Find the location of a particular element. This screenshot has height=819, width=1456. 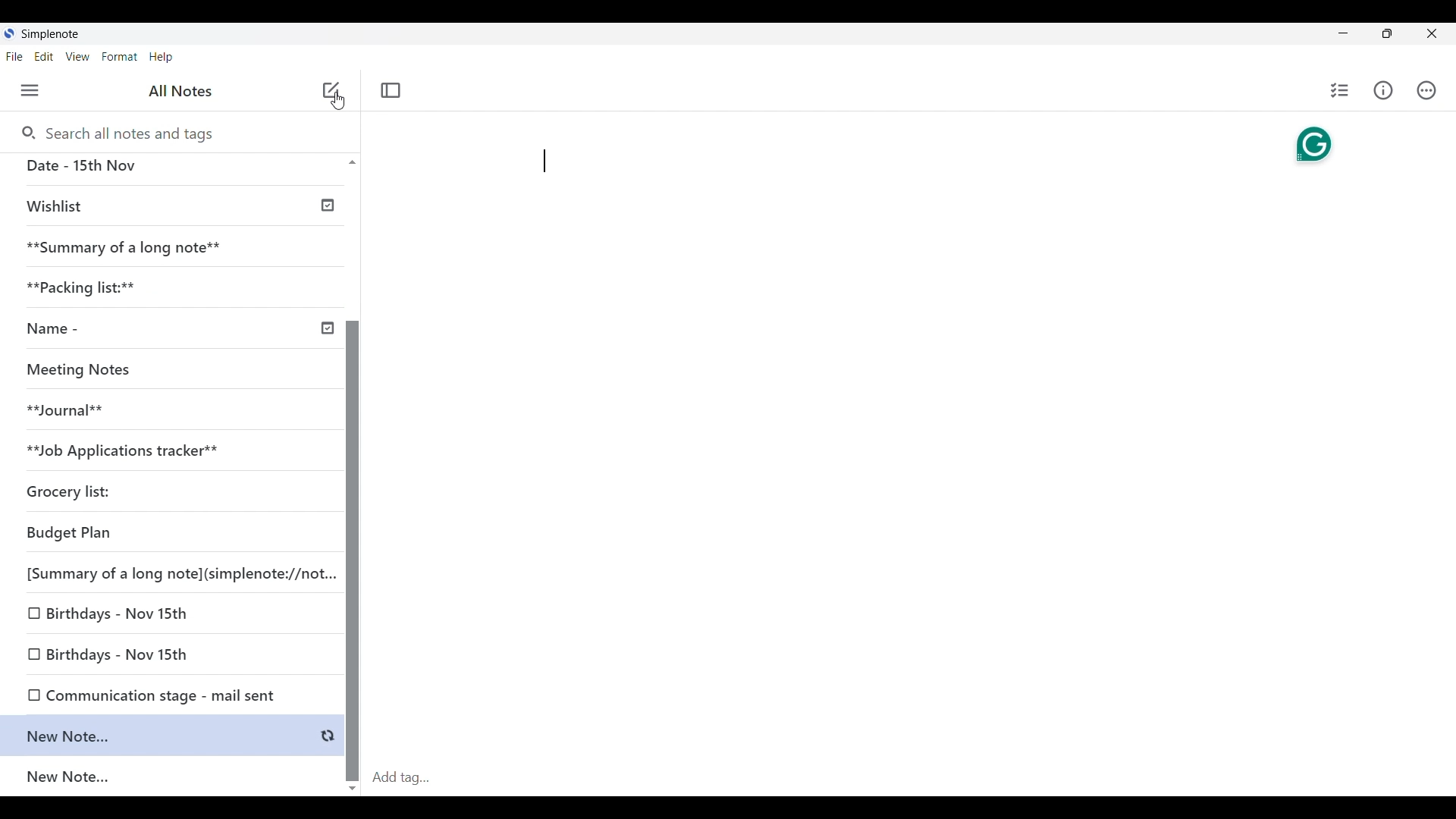

Communication stage - mail sent is located at coordinates (171, 693).